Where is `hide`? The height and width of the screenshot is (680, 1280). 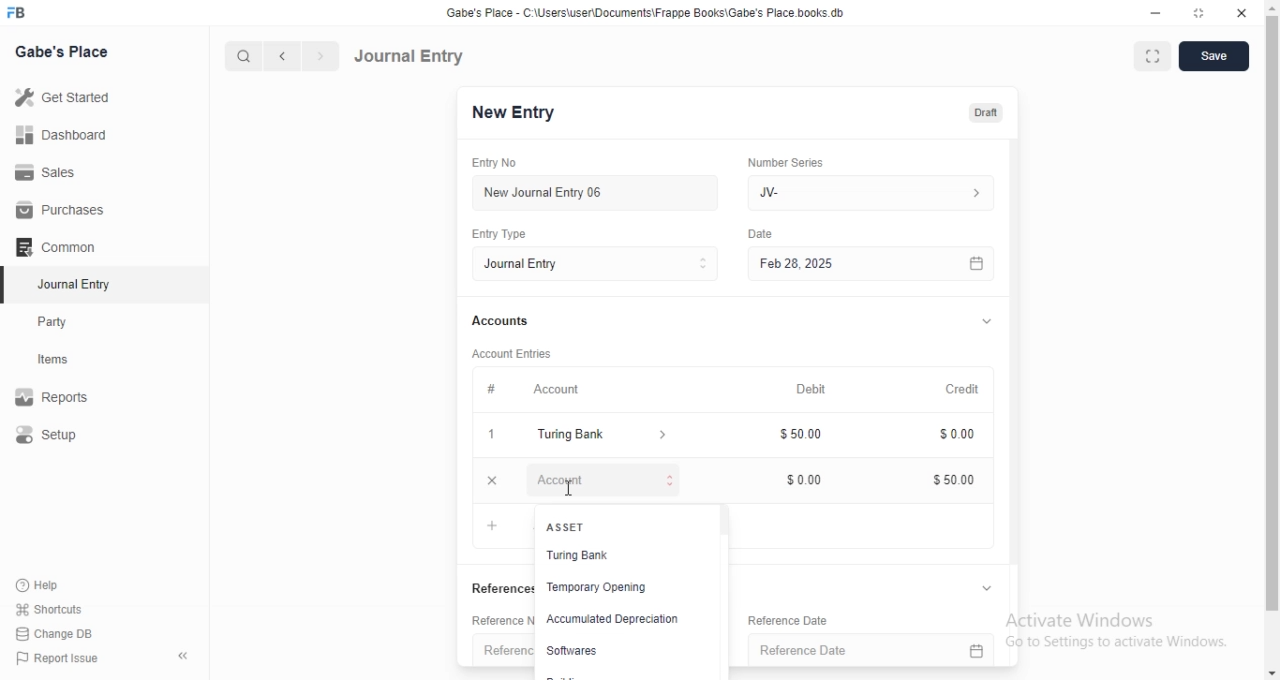 hide is located at coordinates (179, 657).